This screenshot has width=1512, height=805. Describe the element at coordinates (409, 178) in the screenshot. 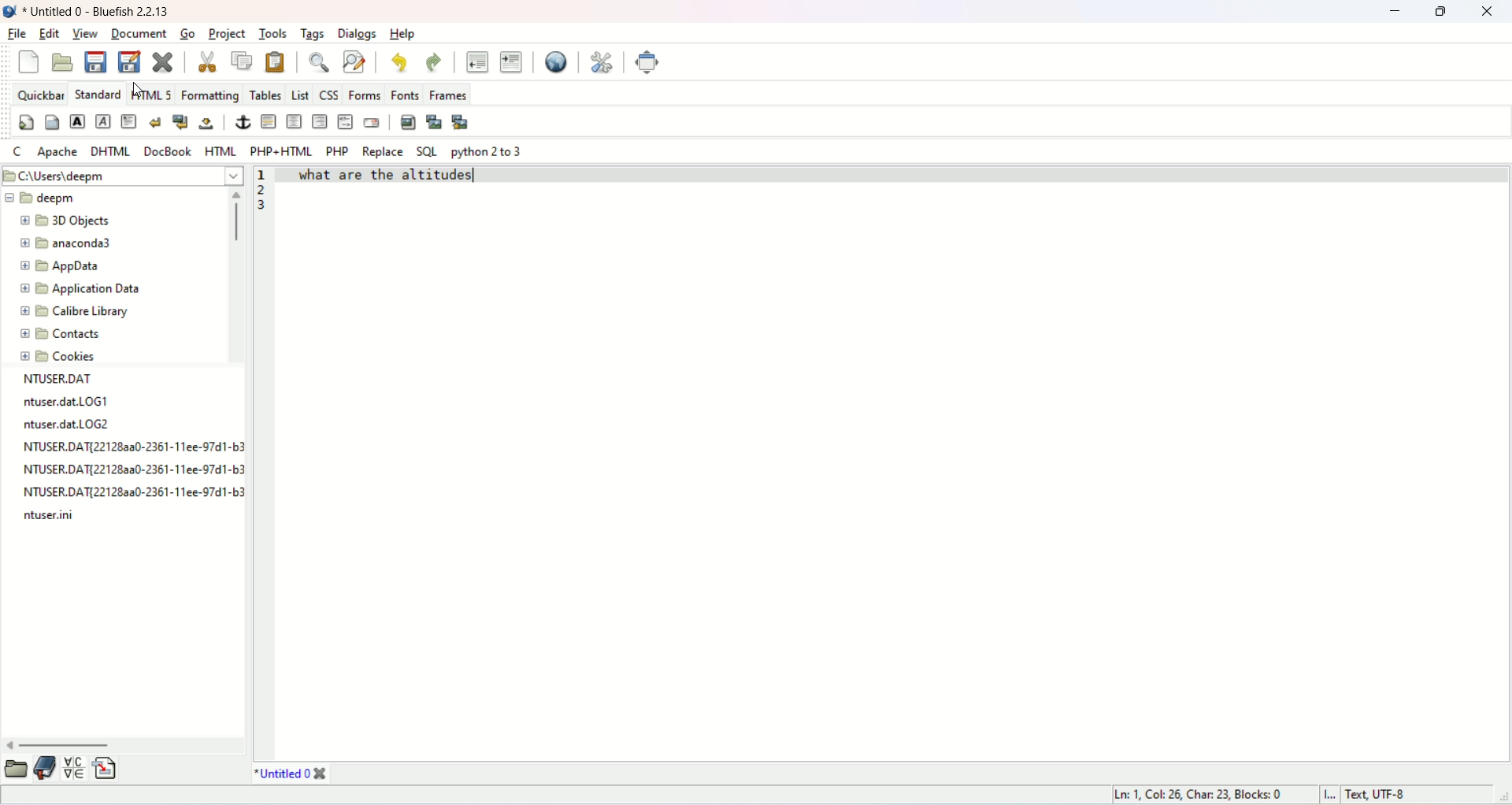

I see `text` at that location.